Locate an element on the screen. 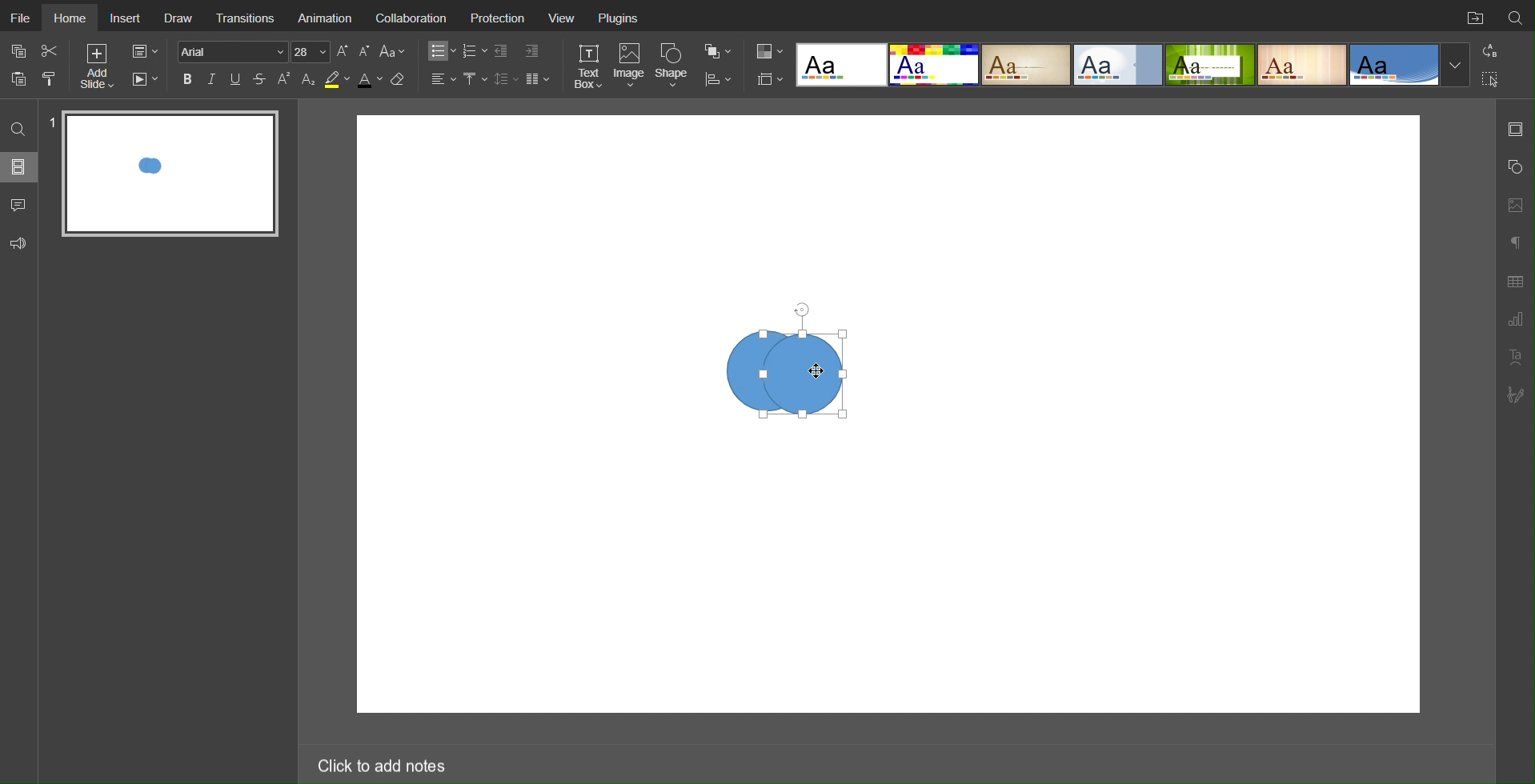 The height and width of the screenshot is (784, 1535). Line Spacing is located at coordinates (506, 78).